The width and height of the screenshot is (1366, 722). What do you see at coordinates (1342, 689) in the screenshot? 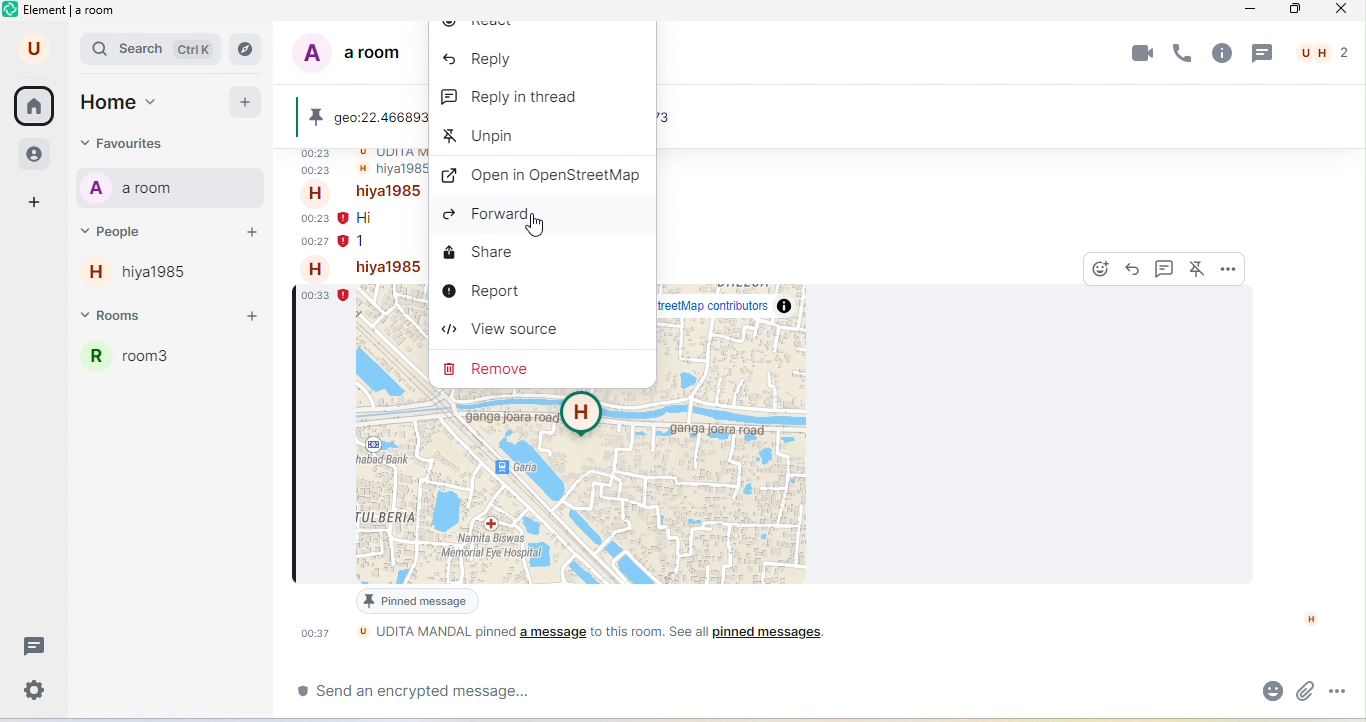
I see `options` at bounding box center [1342, 689].